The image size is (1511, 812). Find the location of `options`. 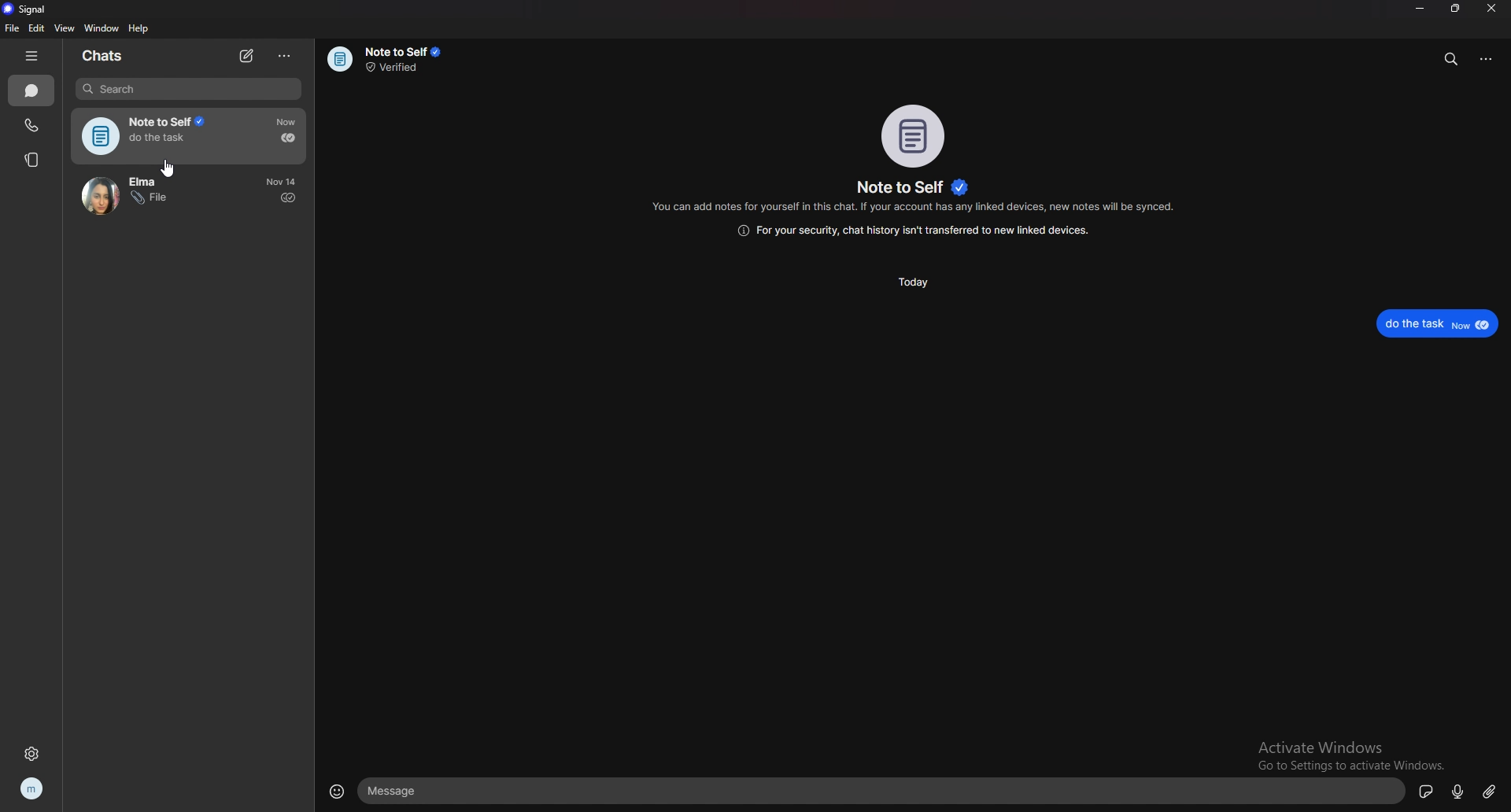

options is located at coordinates (285, 56).